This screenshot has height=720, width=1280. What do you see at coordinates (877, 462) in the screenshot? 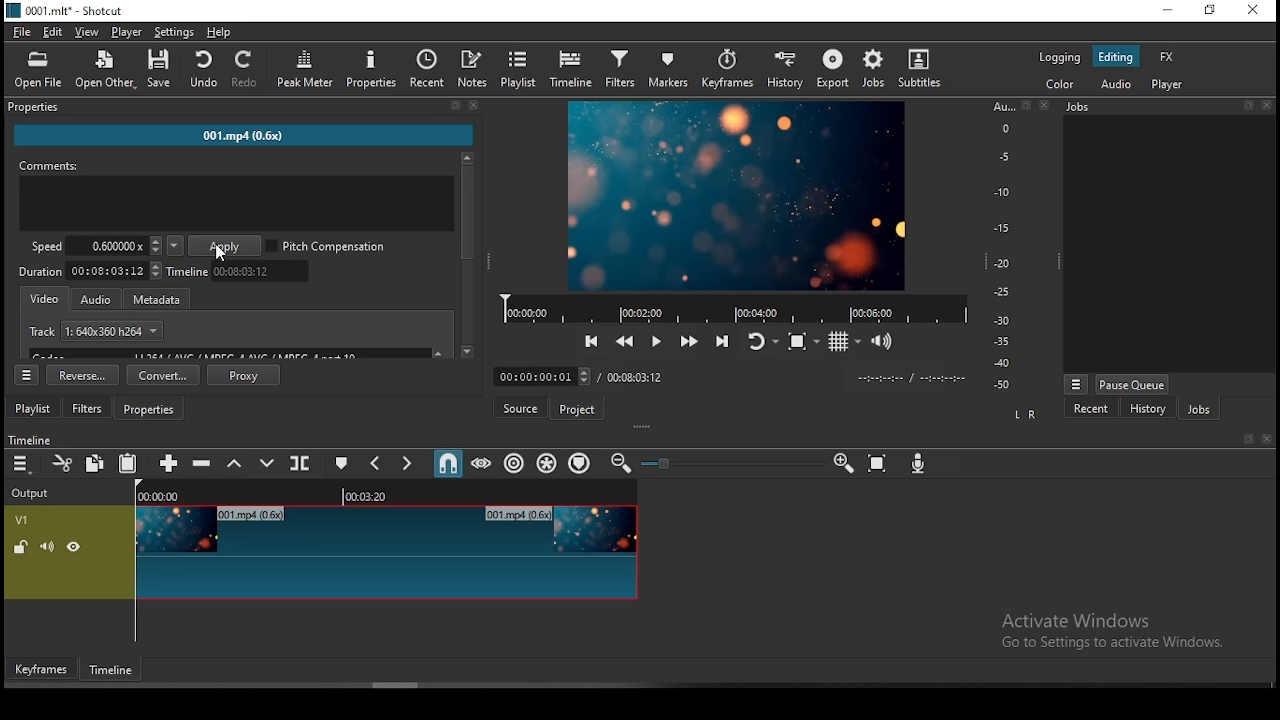
I see `zoom timeline to fit` at bounding box center [877, 462].